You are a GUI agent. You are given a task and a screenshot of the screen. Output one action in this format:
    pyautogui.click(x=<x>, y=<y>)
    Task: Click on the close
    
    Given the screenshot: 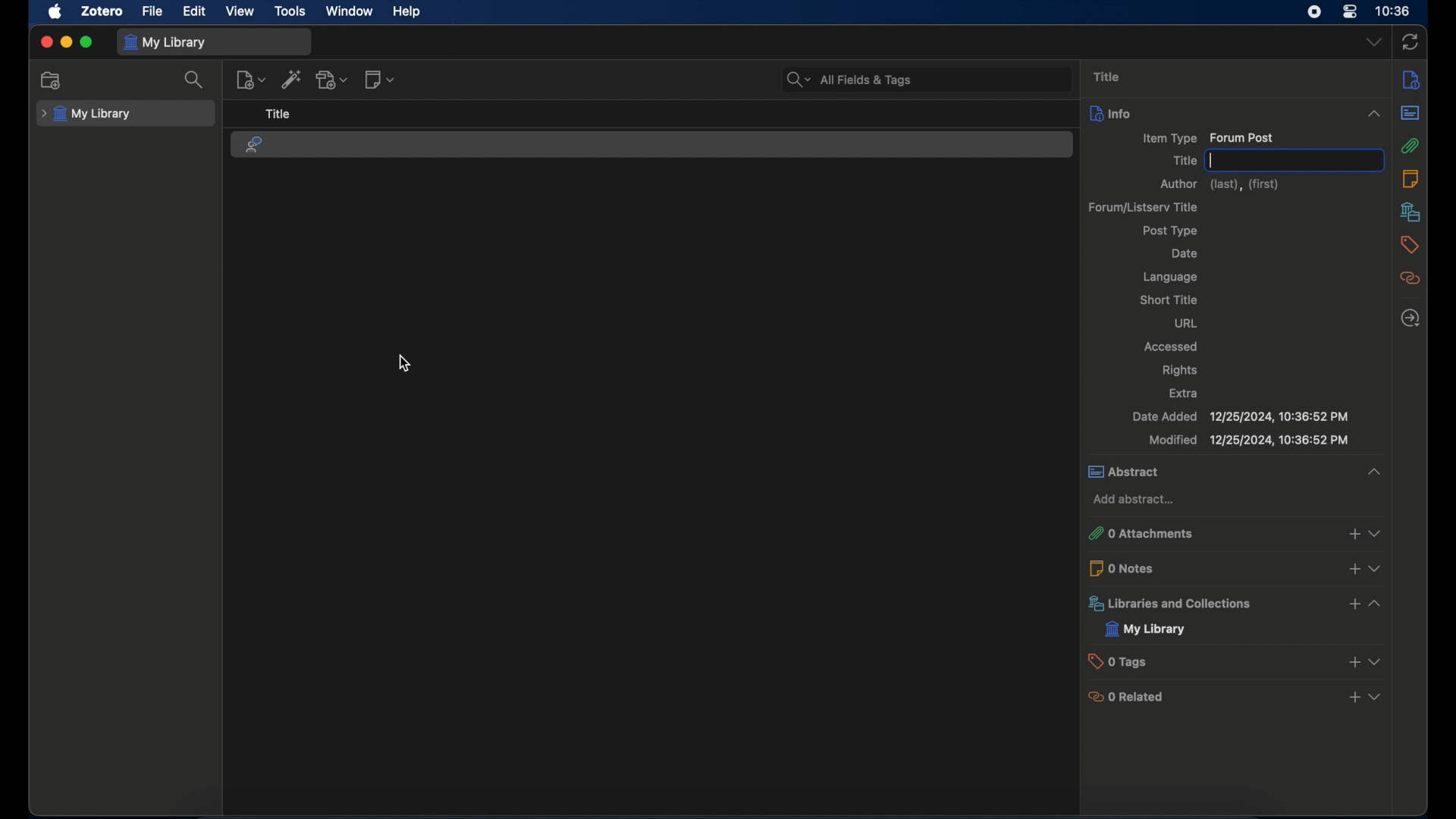 What is the action you would take?
    pyautogui.click(x=46, y=42)
    